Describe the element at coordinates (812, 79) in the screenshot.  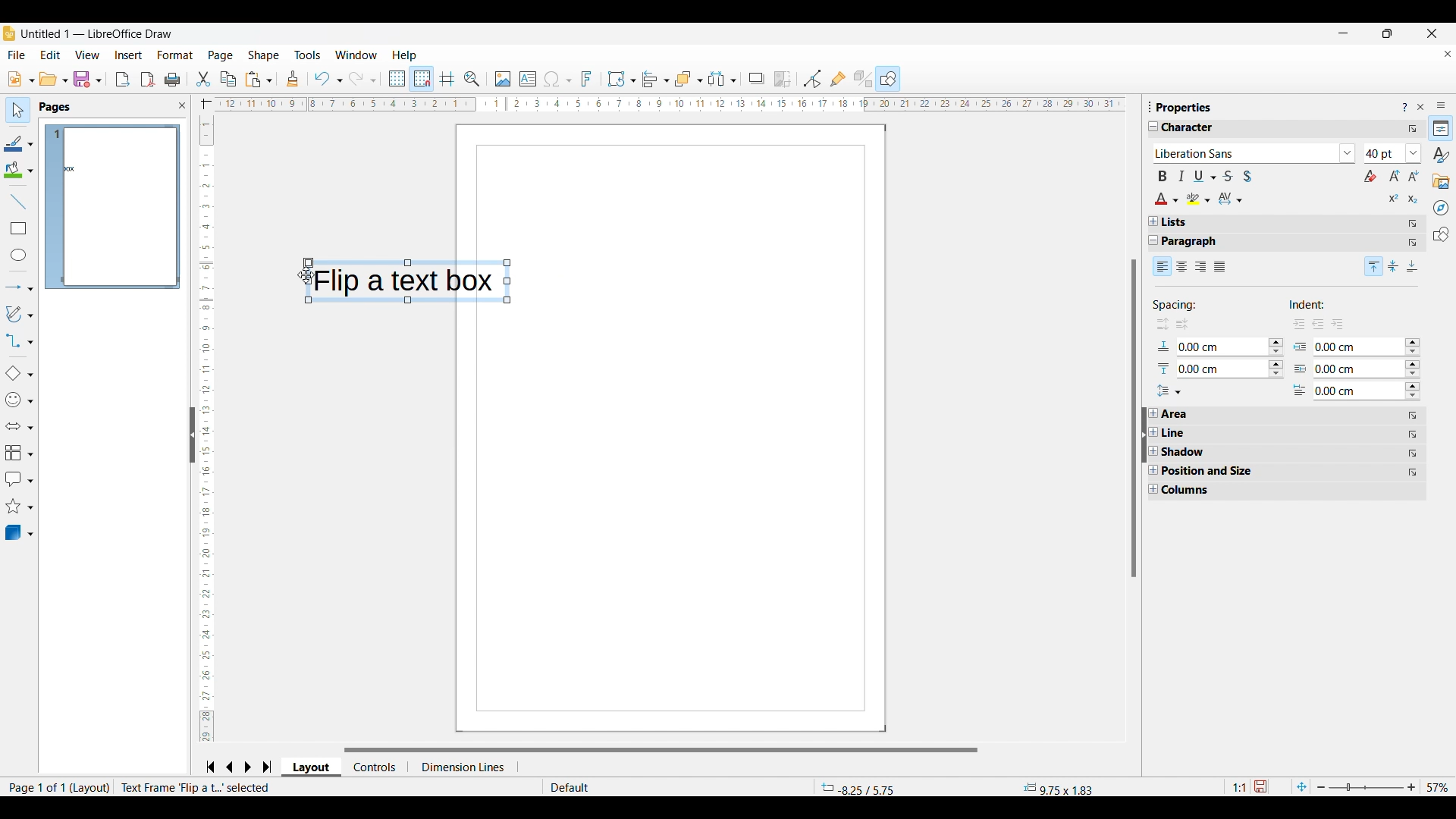
I see `Toggle point edit mode` at that location.